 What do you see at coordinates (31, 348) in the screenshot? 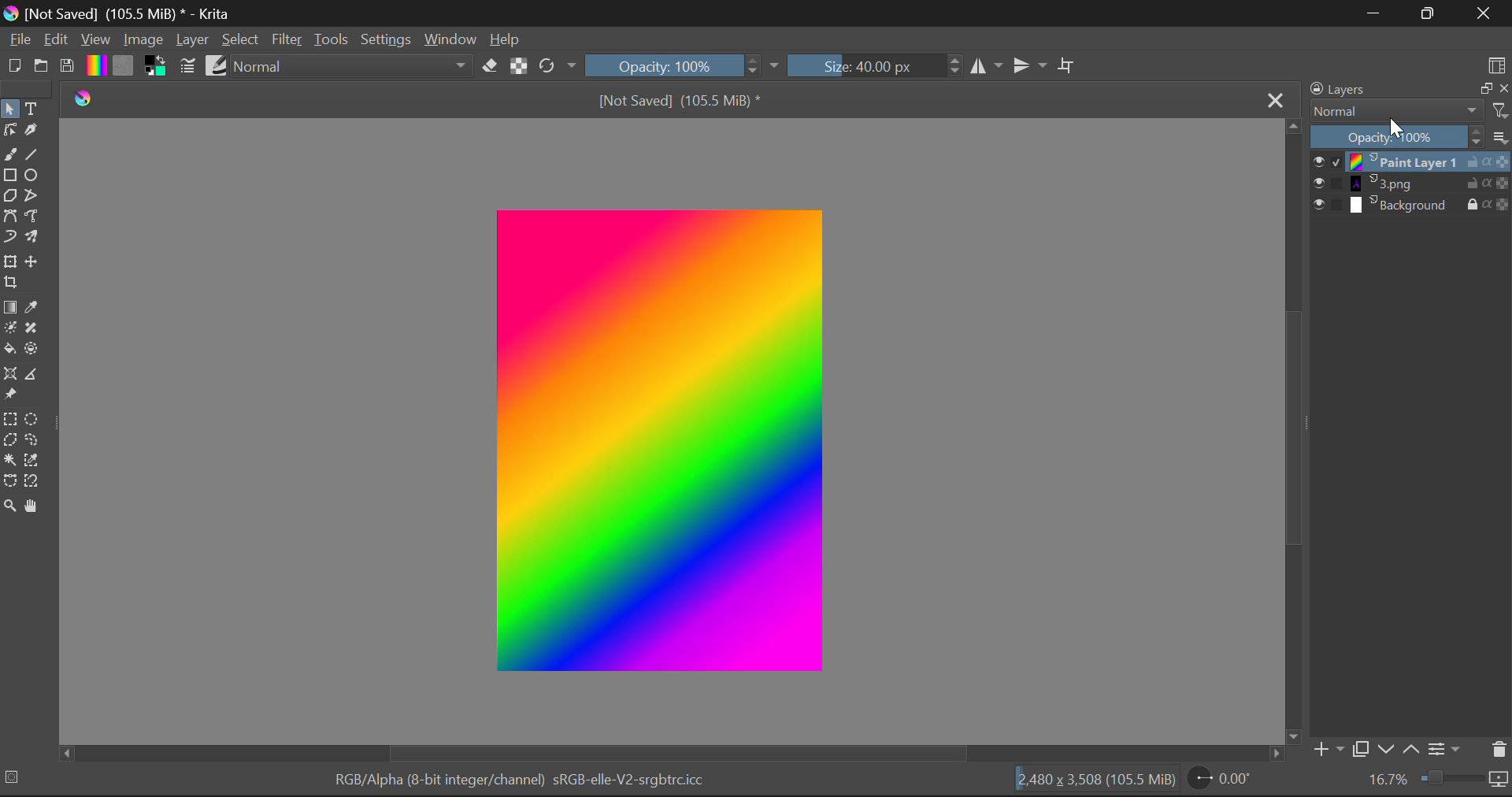
I see `Enclose and Fill` at bounding box center [31, 348].